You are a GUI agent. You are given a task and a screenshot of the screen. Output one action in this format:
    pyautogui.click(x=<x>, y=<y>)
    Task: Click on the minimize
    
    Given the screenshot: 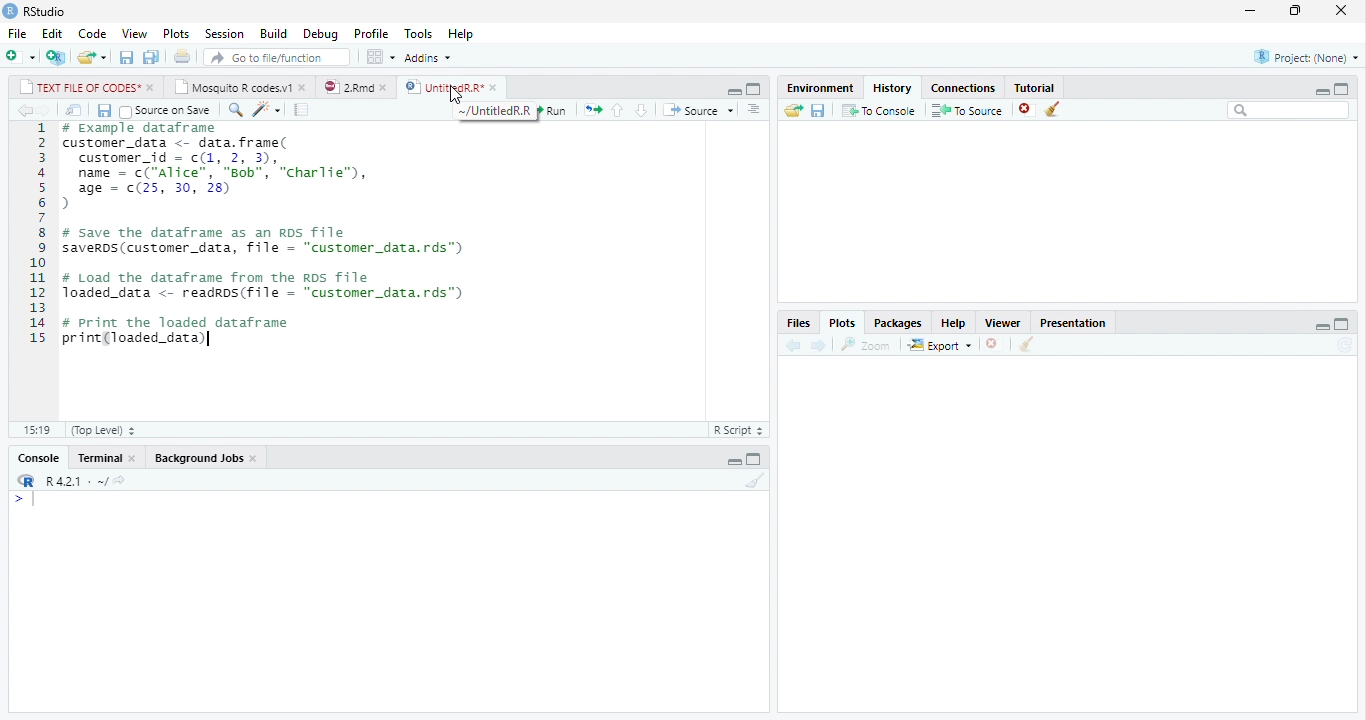 What is the action you would take?
    pyautogui.click(x=1323, y=327)
    